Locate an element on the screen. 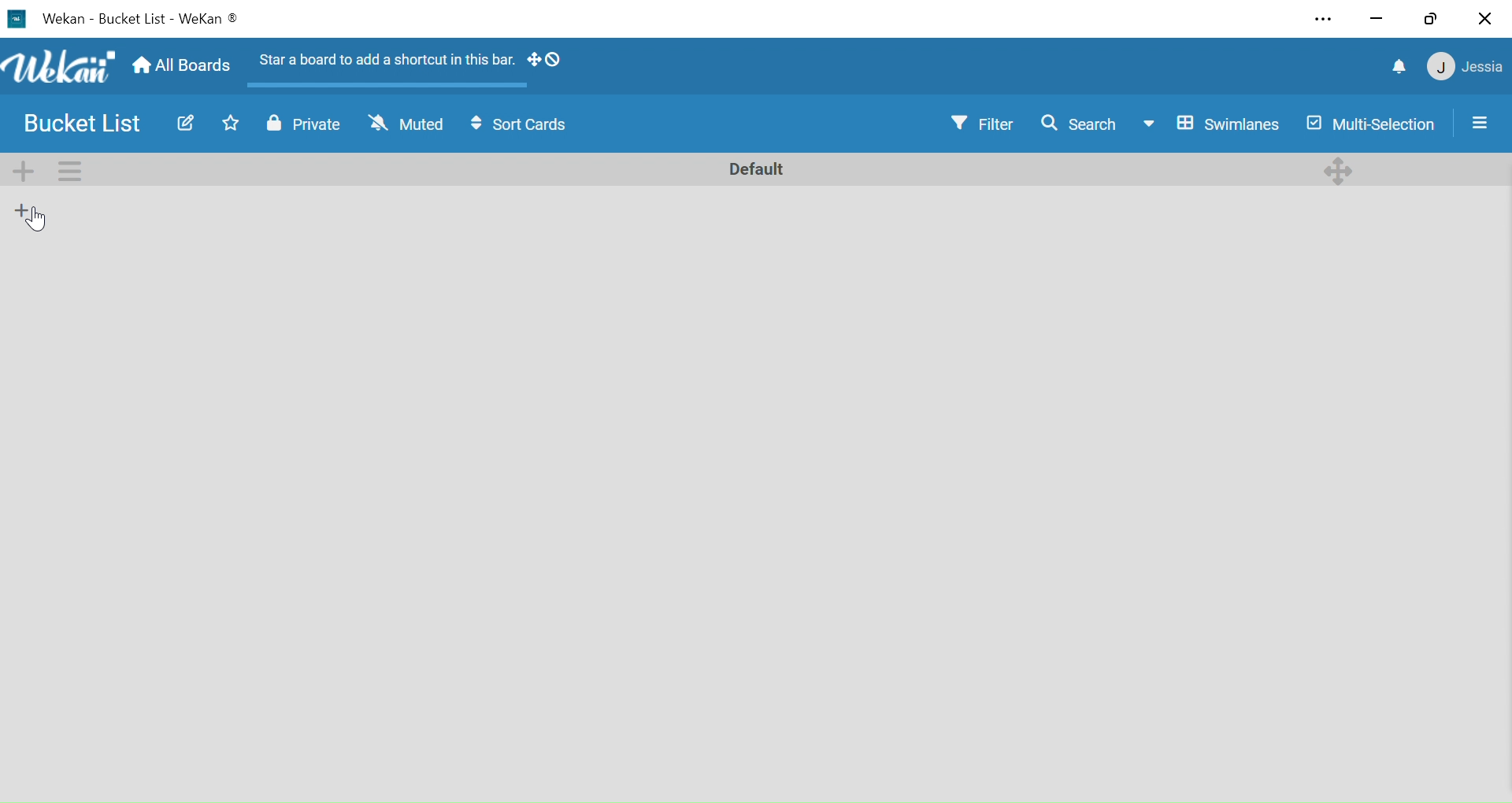  Wekan is located at coordinates (209, 20).